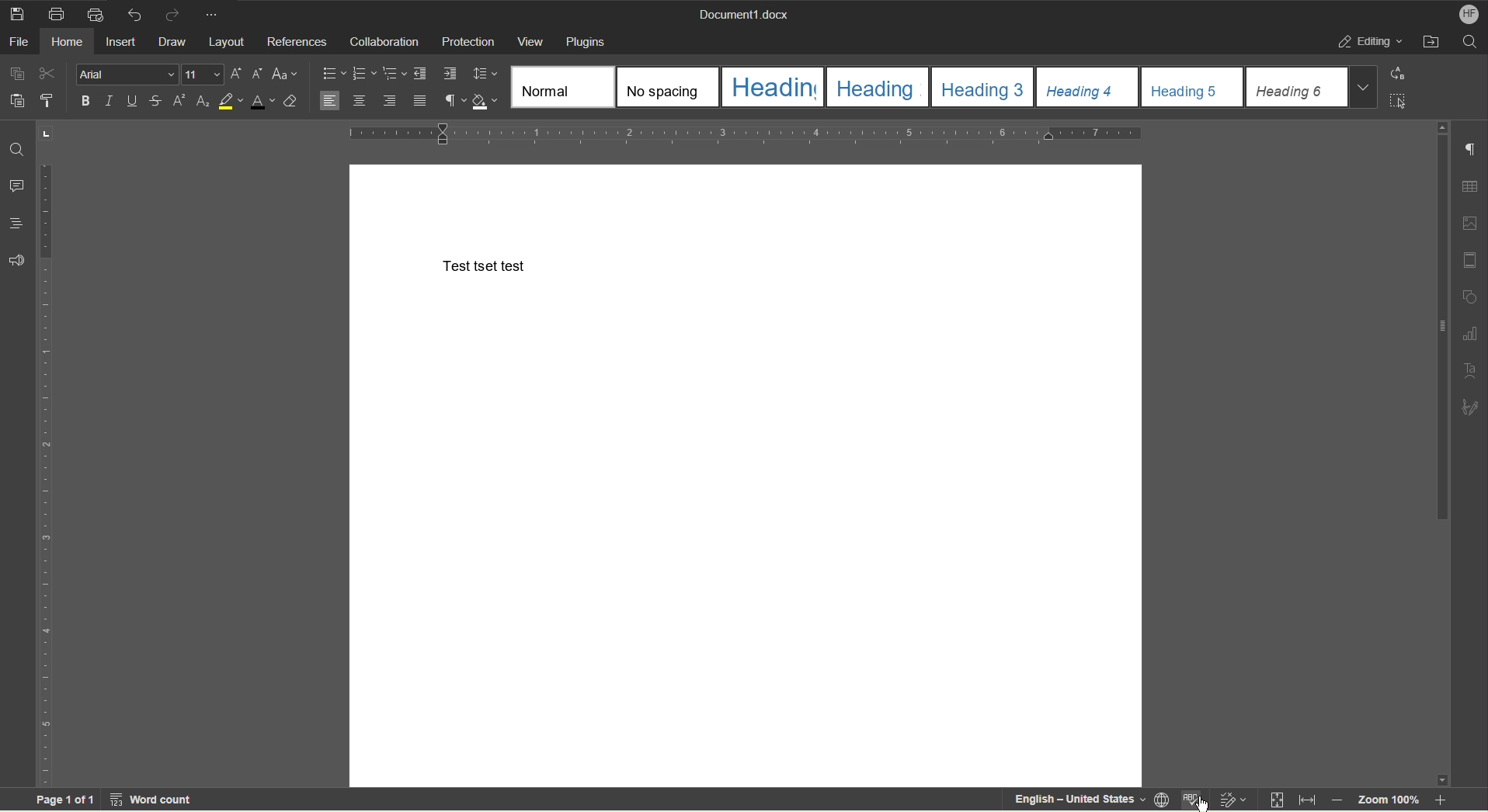 The width and height of the screenshot is (1488, 812). Describe the element at coordinates (742, 12) in the screenshot. I see `Document Name` at that location.